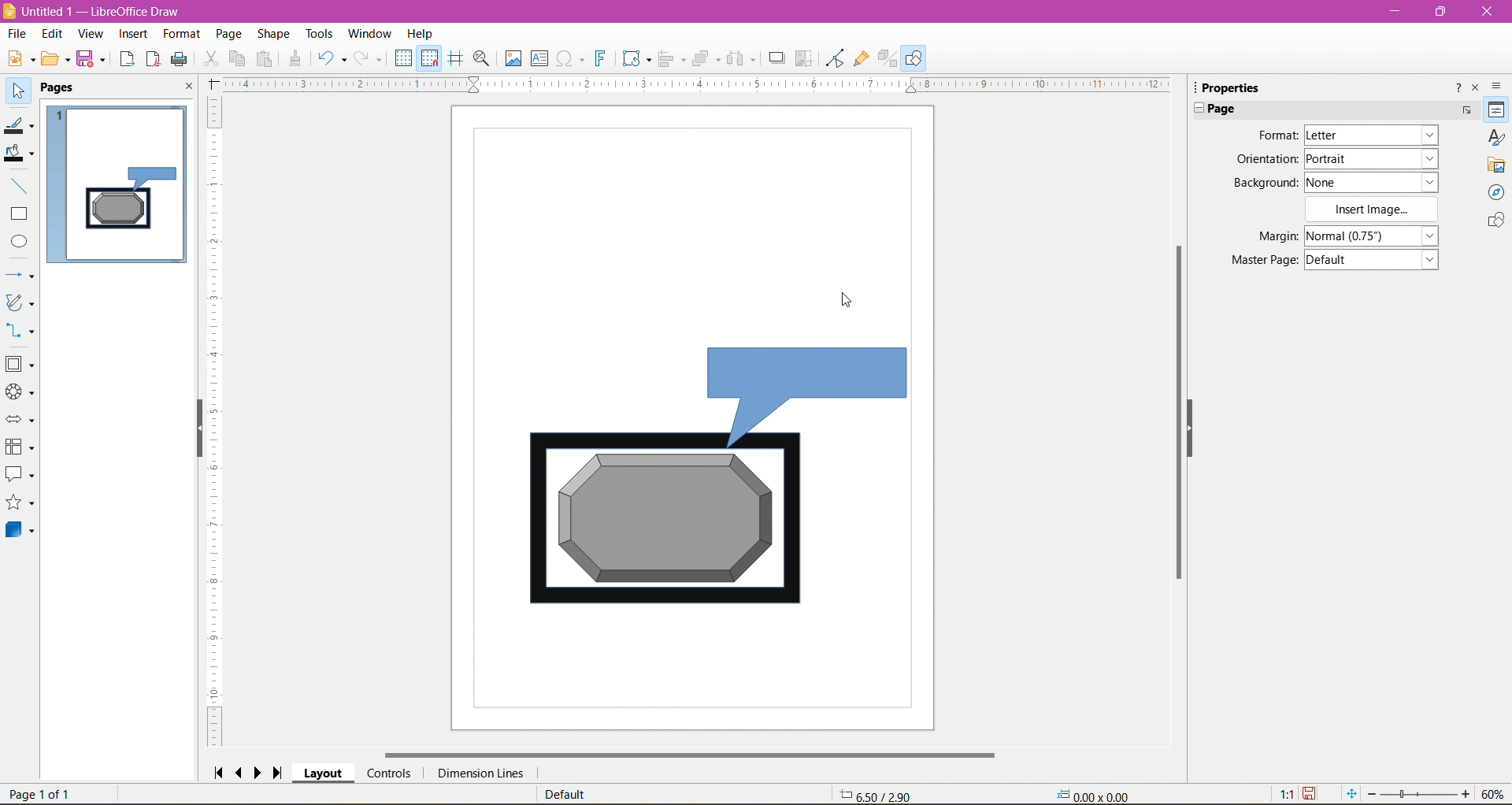 The height and width of the screenshot is (805, 1512). What do you see at coordinates (295, 60) in the screenshot?
I see `Cone formatting` at bounding box center [295, 60].